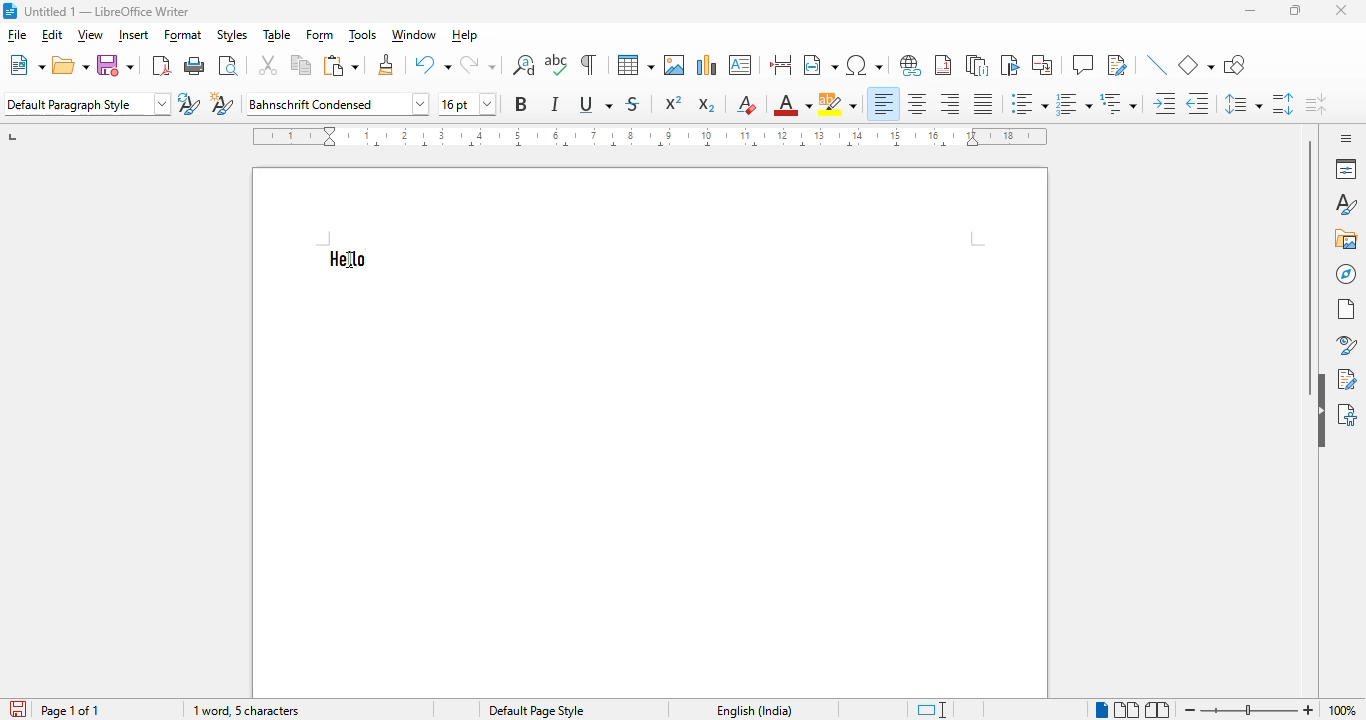 The image size is (1366, 720). Describe the element at coordinates (162, 65) in the screenshot. I see `export directly as PDF` at that location.